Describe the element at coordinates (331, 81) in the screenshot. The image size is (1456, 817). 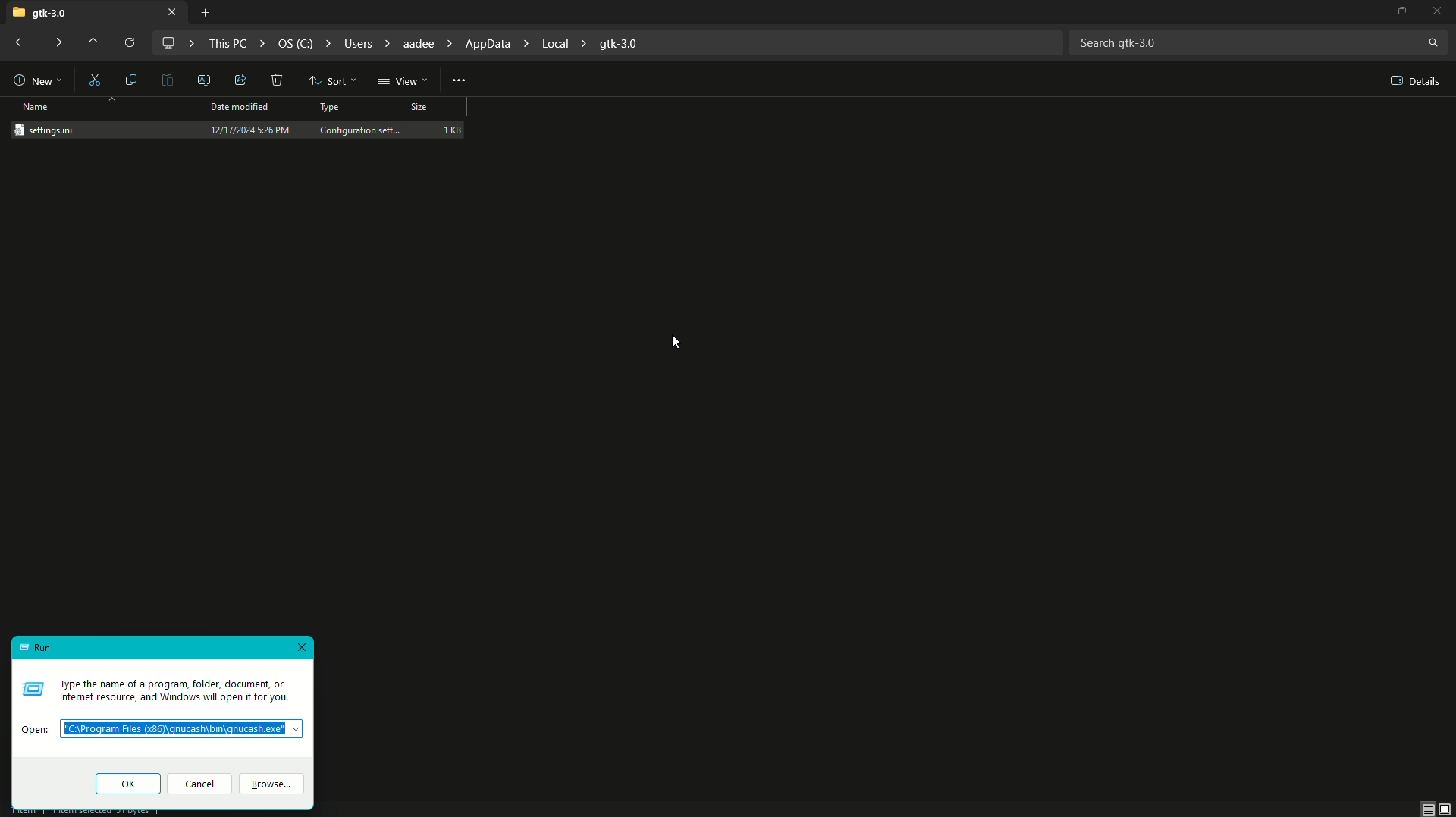
I see `Sort` at that location.